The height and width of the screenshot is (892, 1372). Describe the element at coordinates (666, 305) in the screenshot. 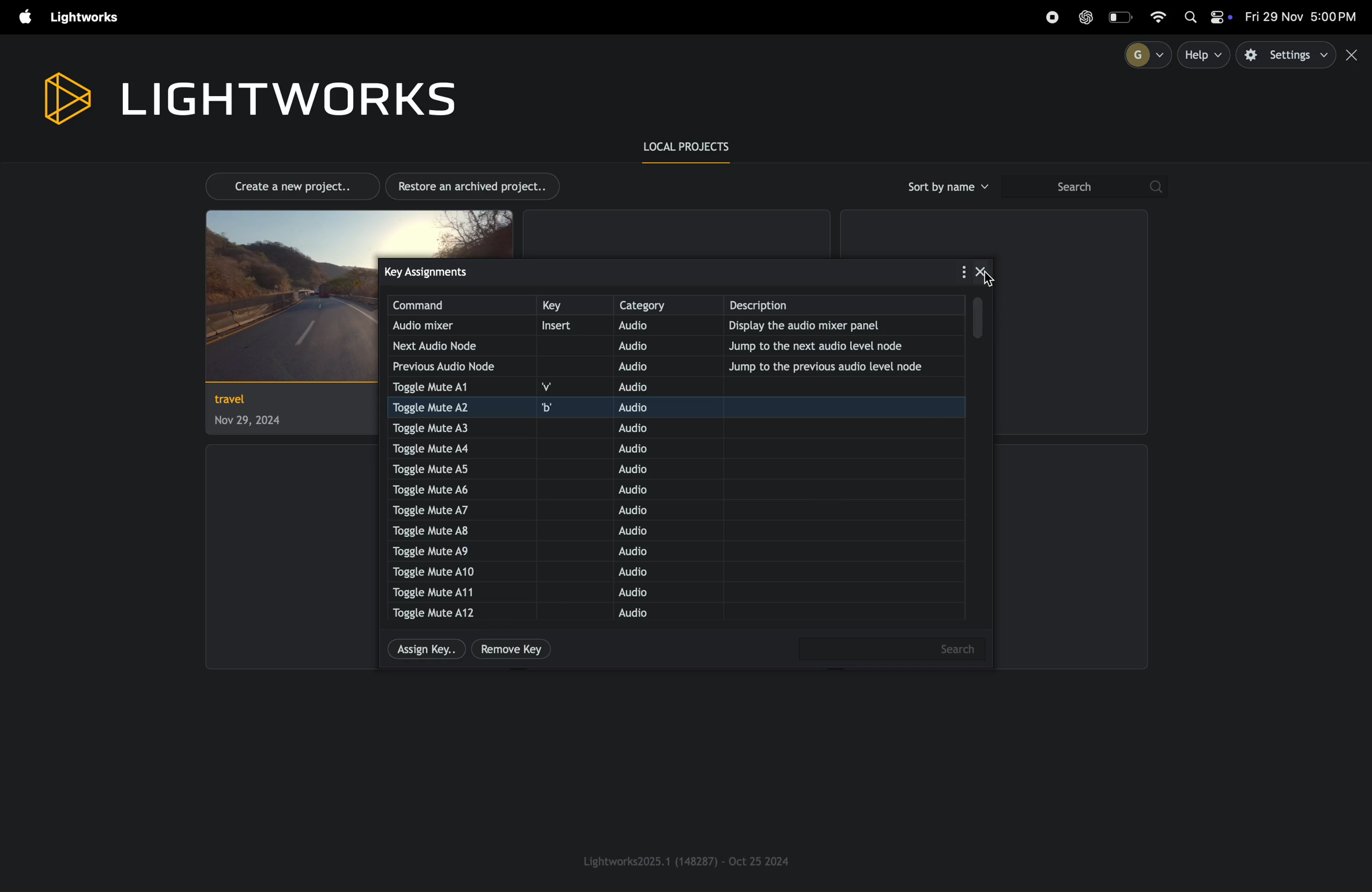

I see `category` at that location.